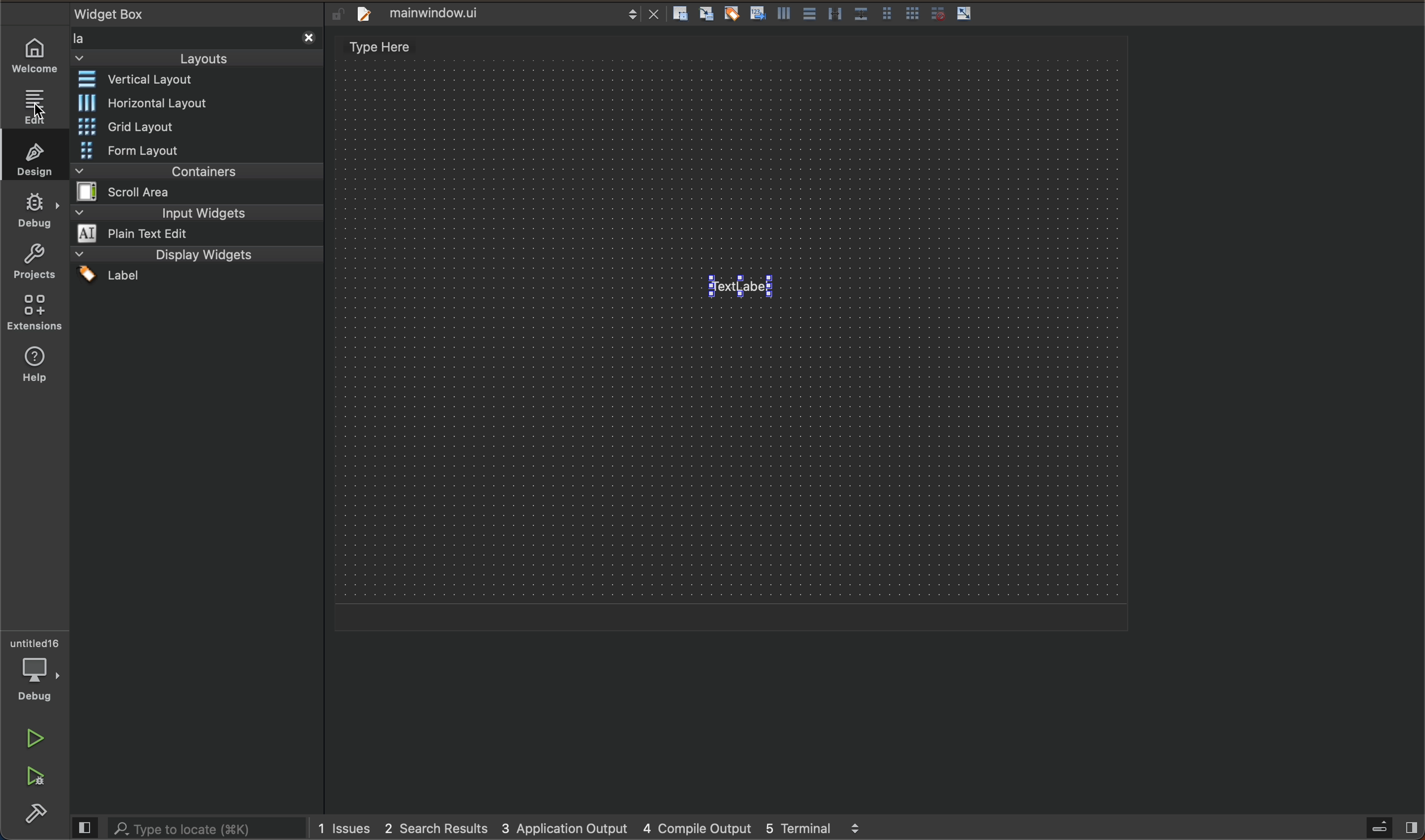 The image size is (1425, 840). Describe the element at coordinates (38, 779) in the screenshot. I see `run and debug` at that location.